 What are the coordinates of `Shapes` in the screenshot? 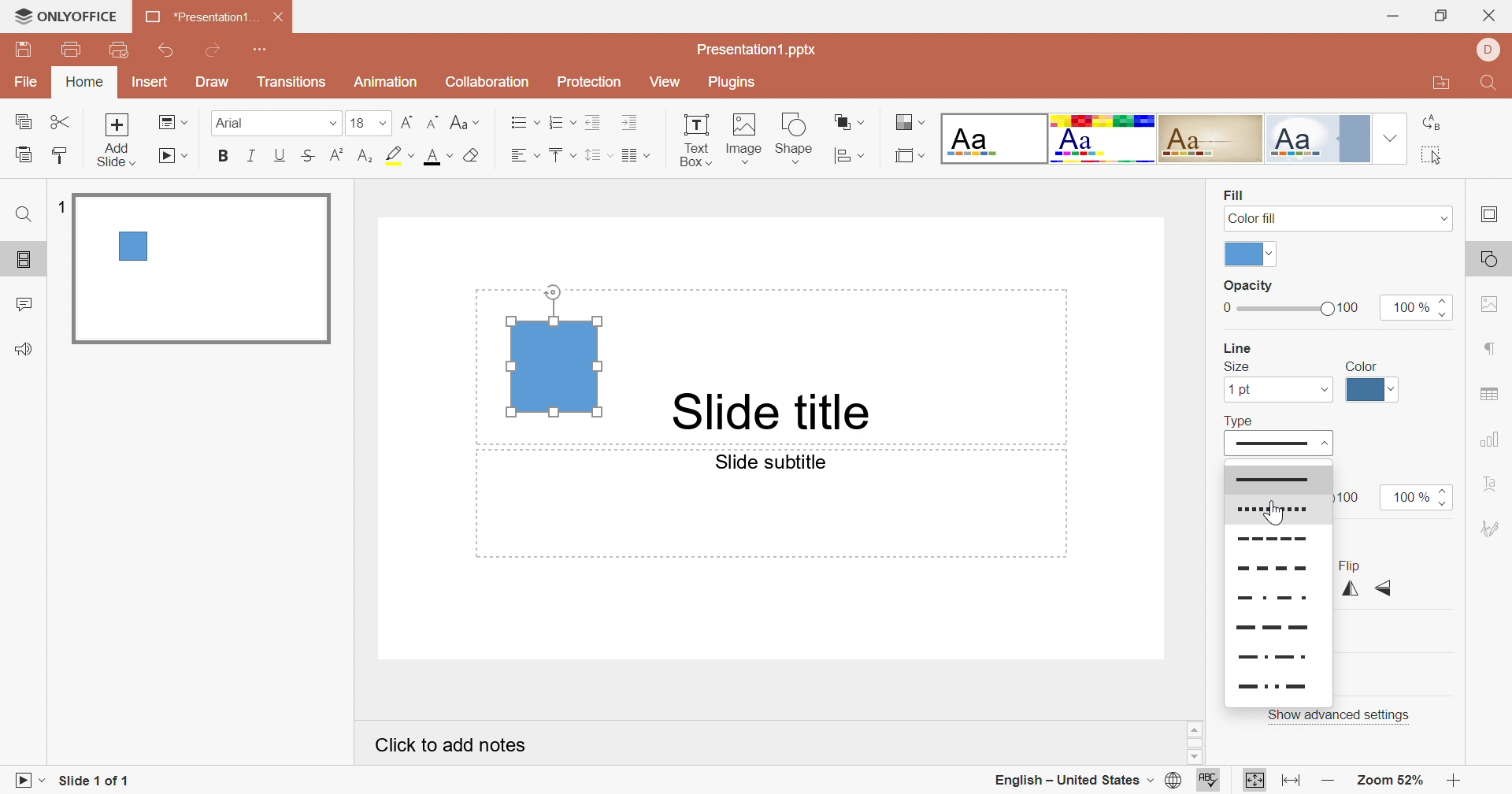 It's located at (798, 137).